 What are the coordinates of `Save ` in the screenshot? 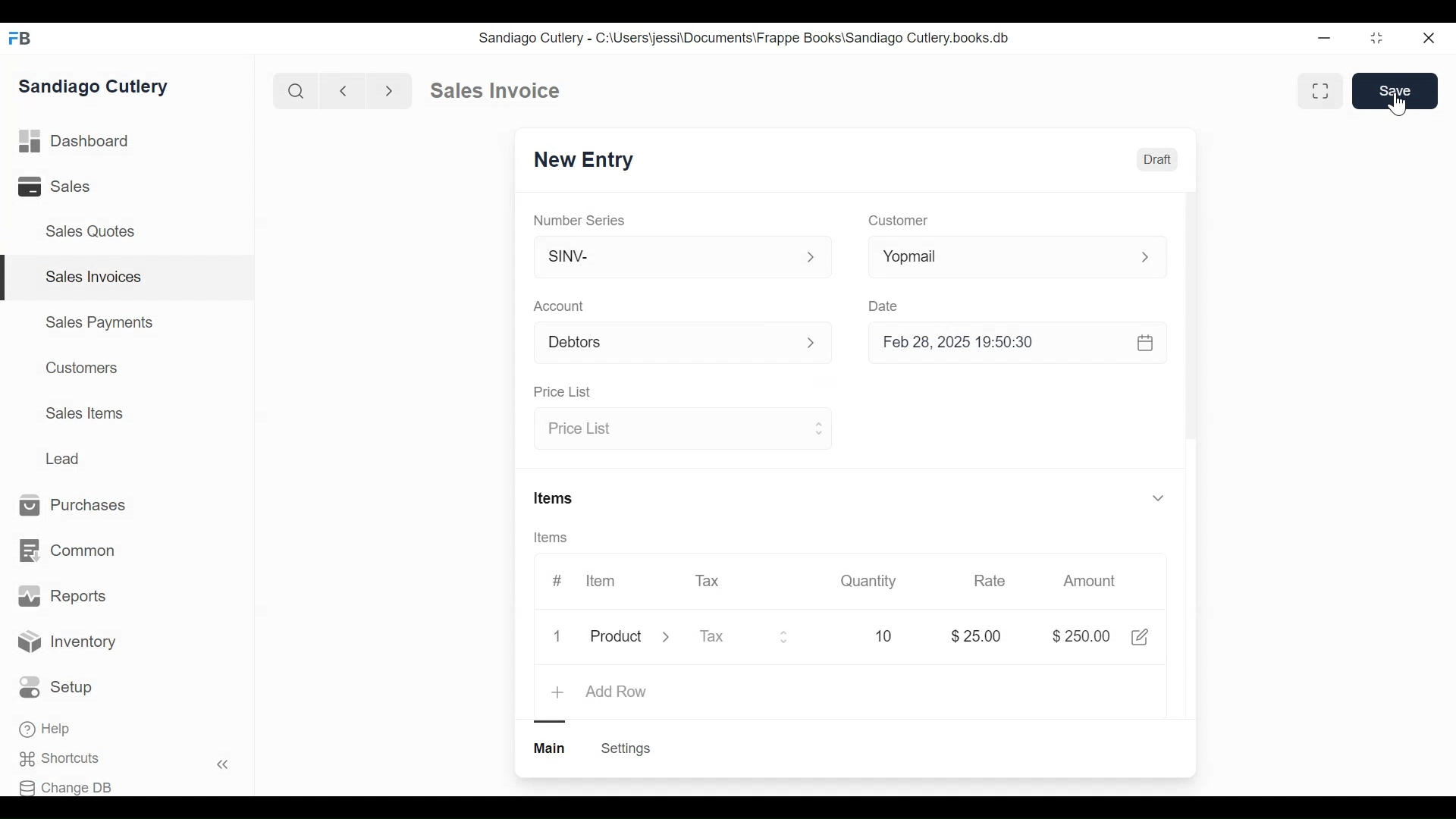 It's located at (1395, 91).